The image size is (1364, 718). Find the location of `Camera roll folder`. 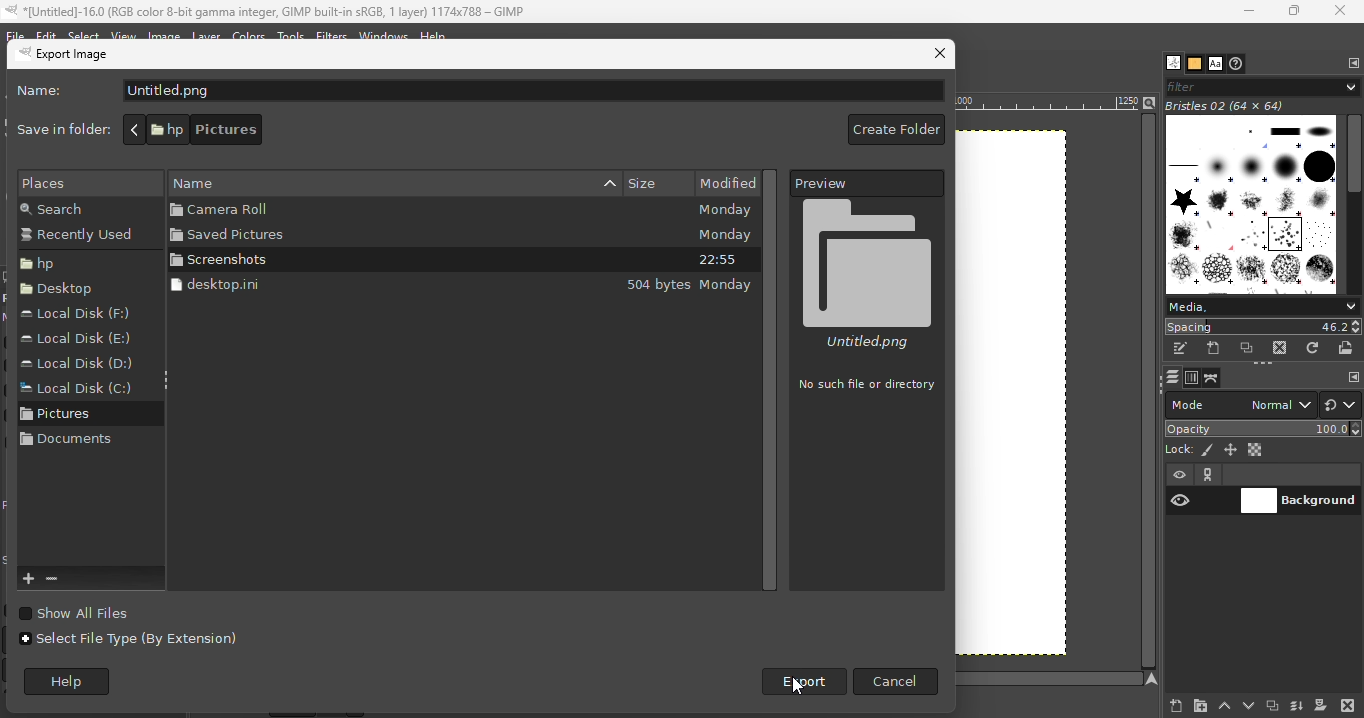

Camera roll folder is located at coordinates (352, 210).